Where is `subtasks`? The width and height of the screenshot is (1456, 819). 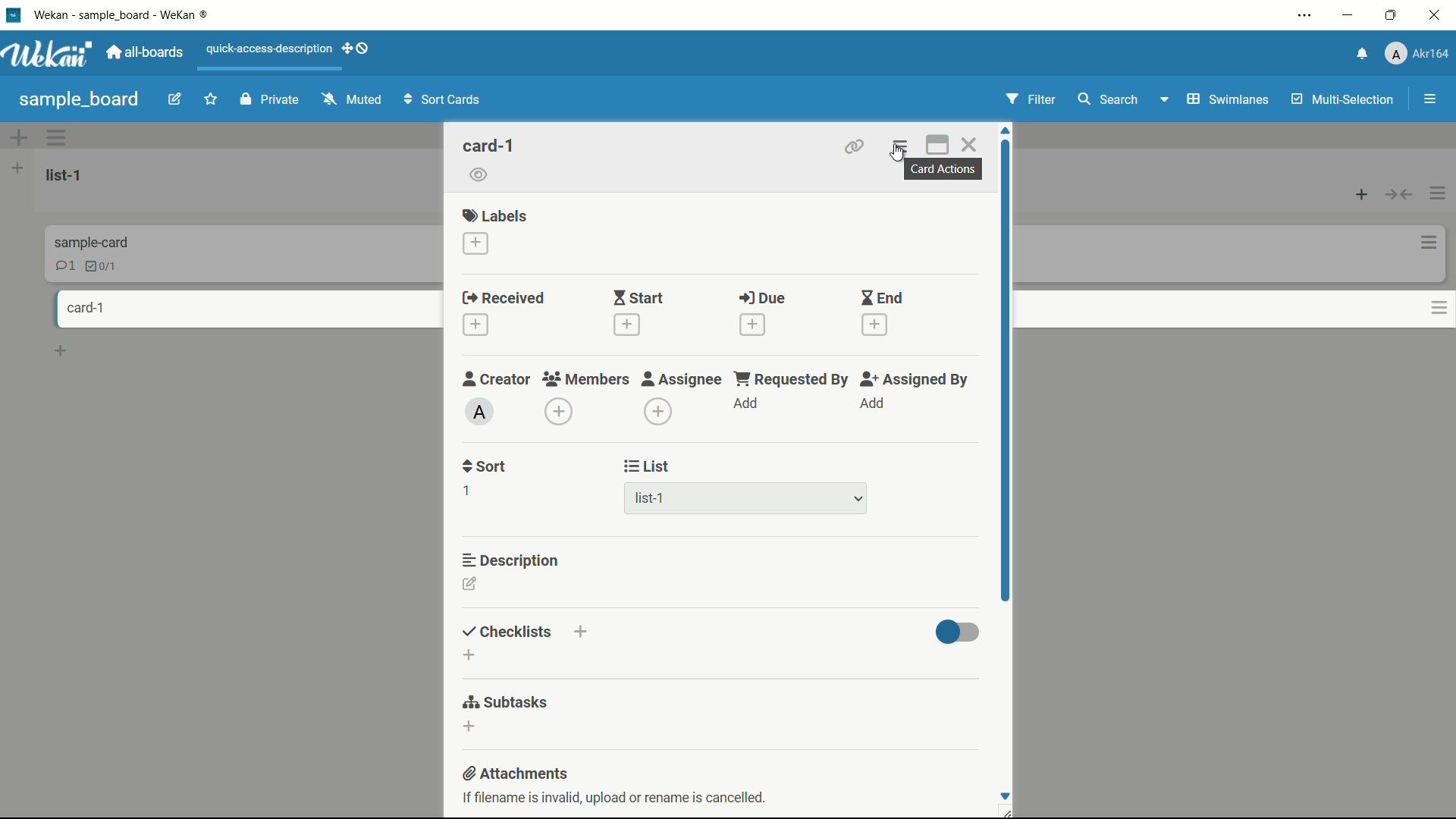 subtasks is located at coordinates (506, 704).